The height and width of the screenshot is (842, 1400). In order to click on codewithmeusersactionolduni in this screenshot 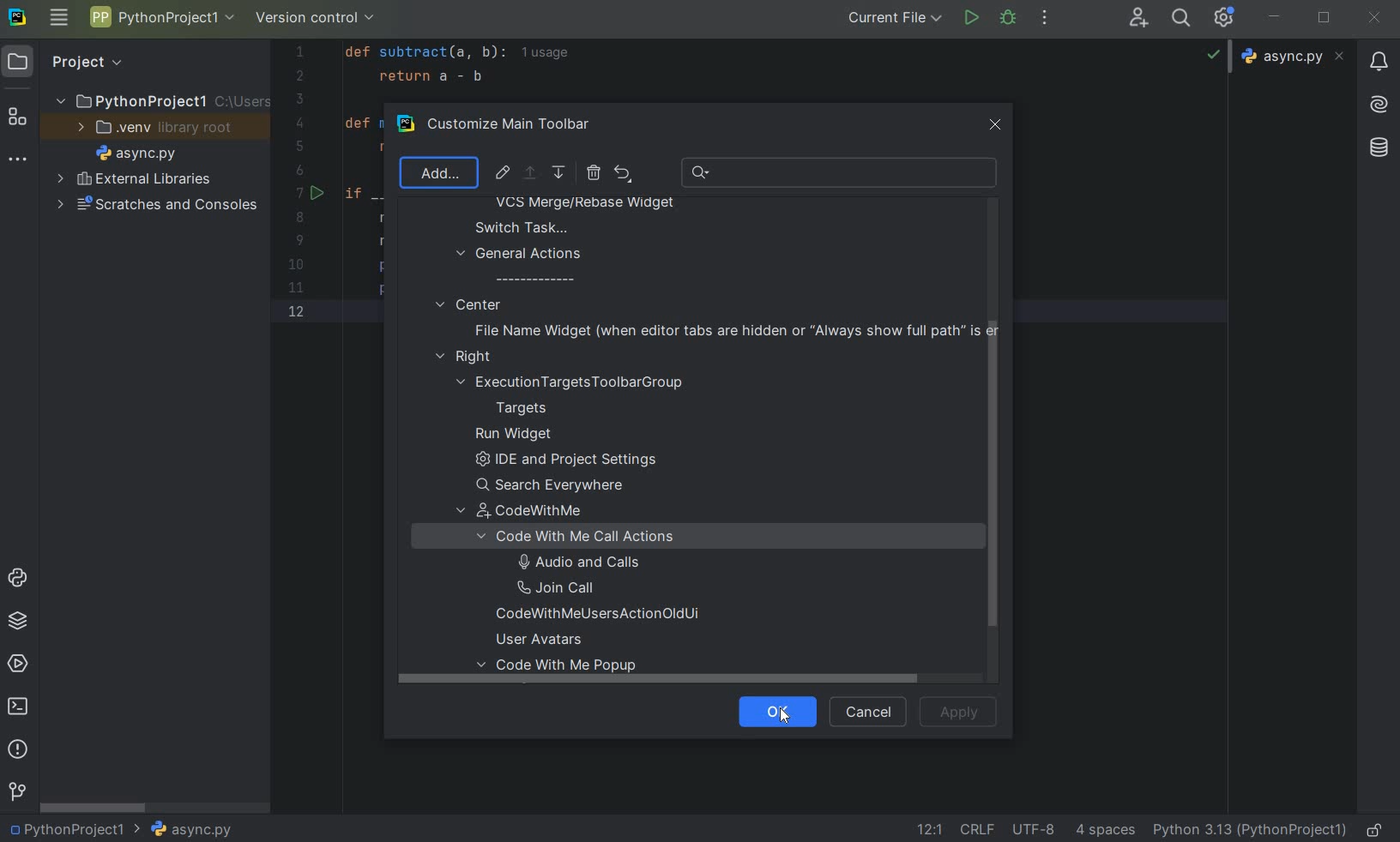, I will do `click(598, 616)`.